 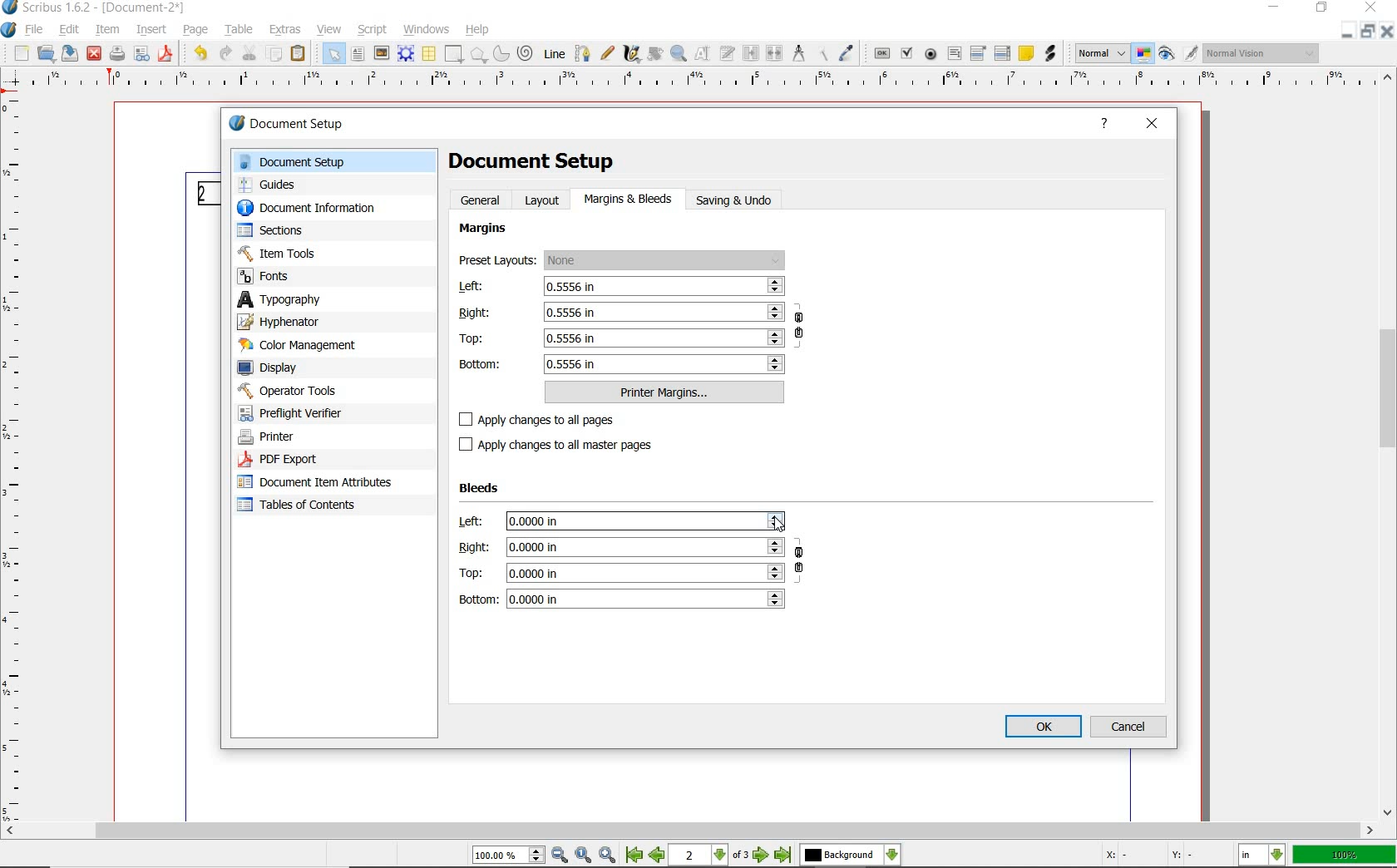 What do you see at coordinates (621, 521) in the screenshot?
I see `left` at bounding box center [621, 521].